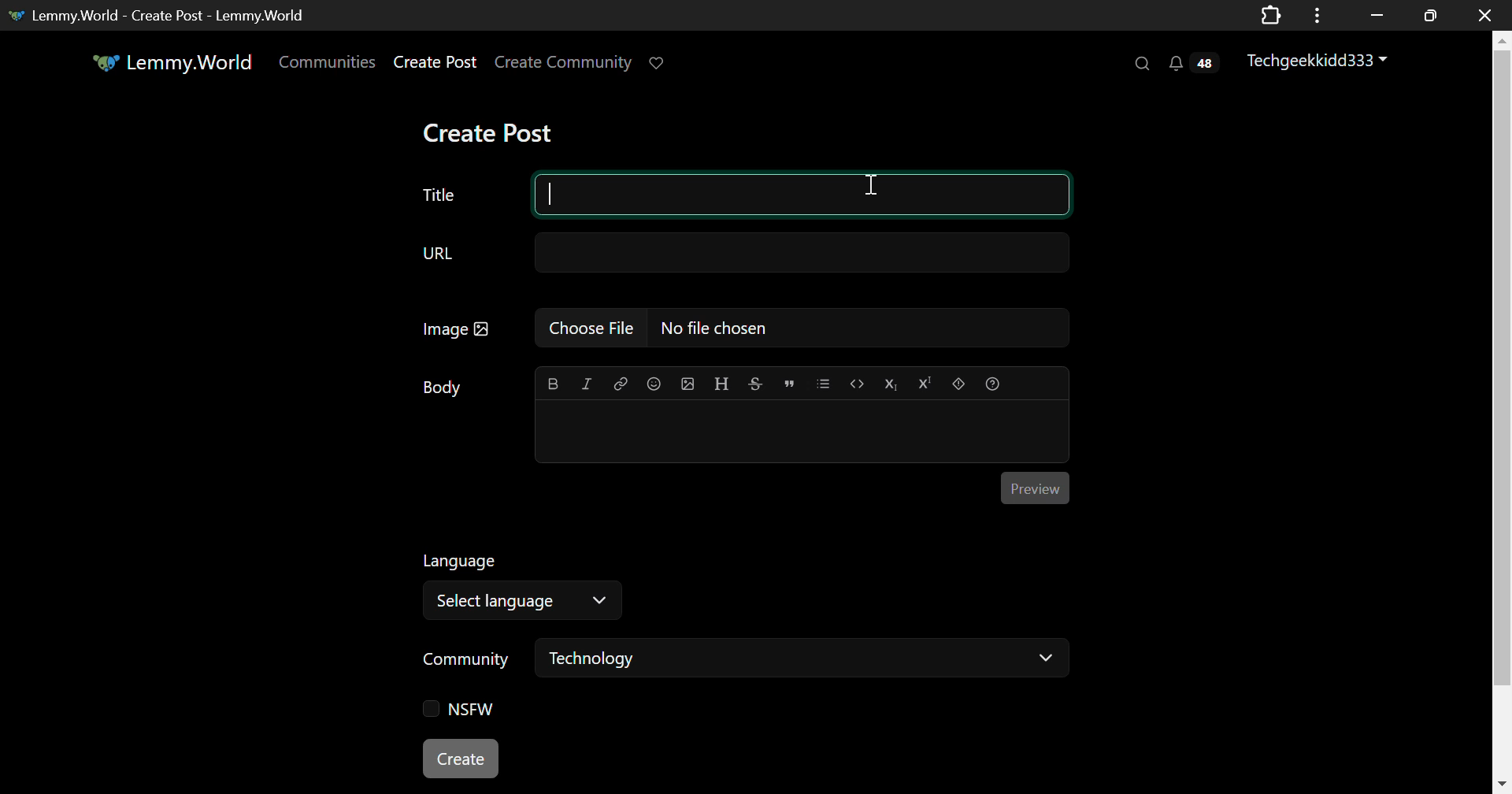 Image resolution: width=1512 pixels, height=794 pixels. What do you see at coordinates (653, 384) in the screenshot?
I see `emoji` at bounding box center [653, 384].